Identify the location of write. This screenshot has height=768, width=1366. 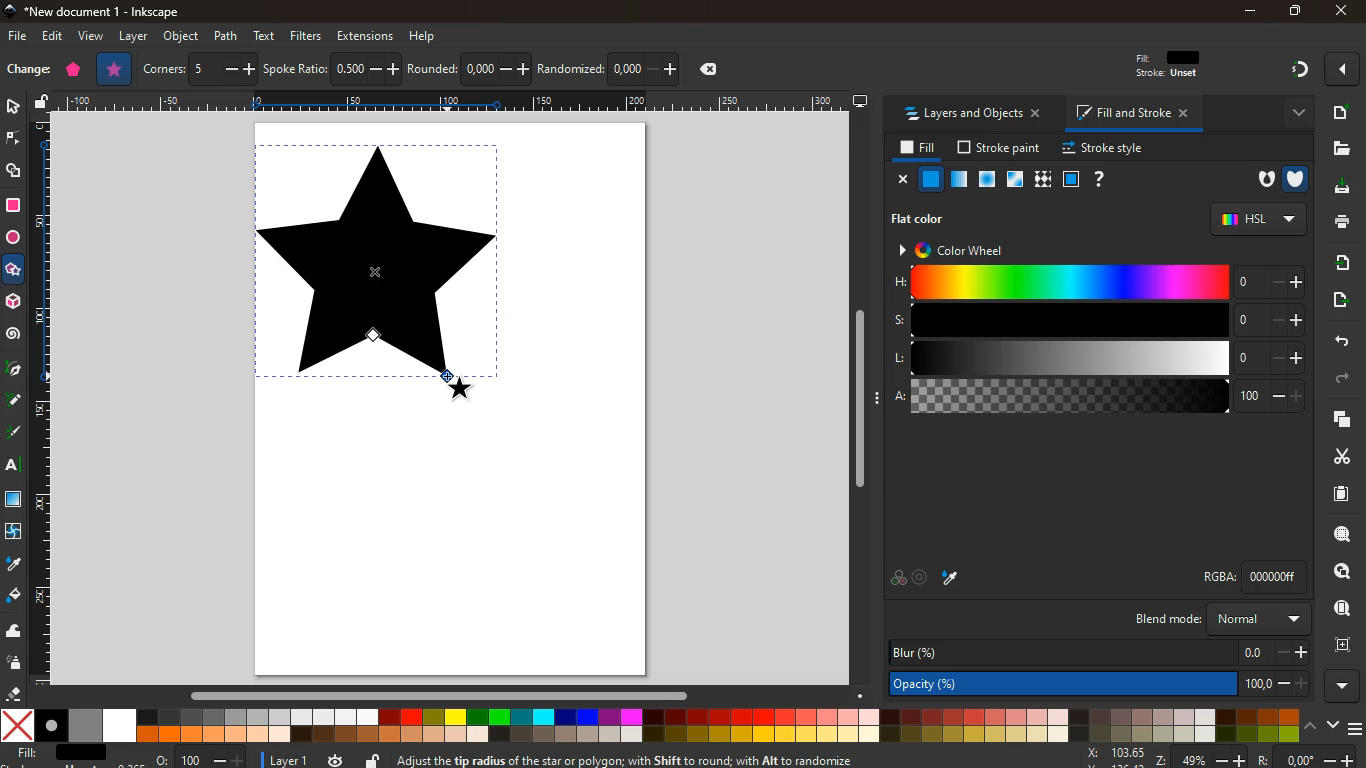
(14, 401).